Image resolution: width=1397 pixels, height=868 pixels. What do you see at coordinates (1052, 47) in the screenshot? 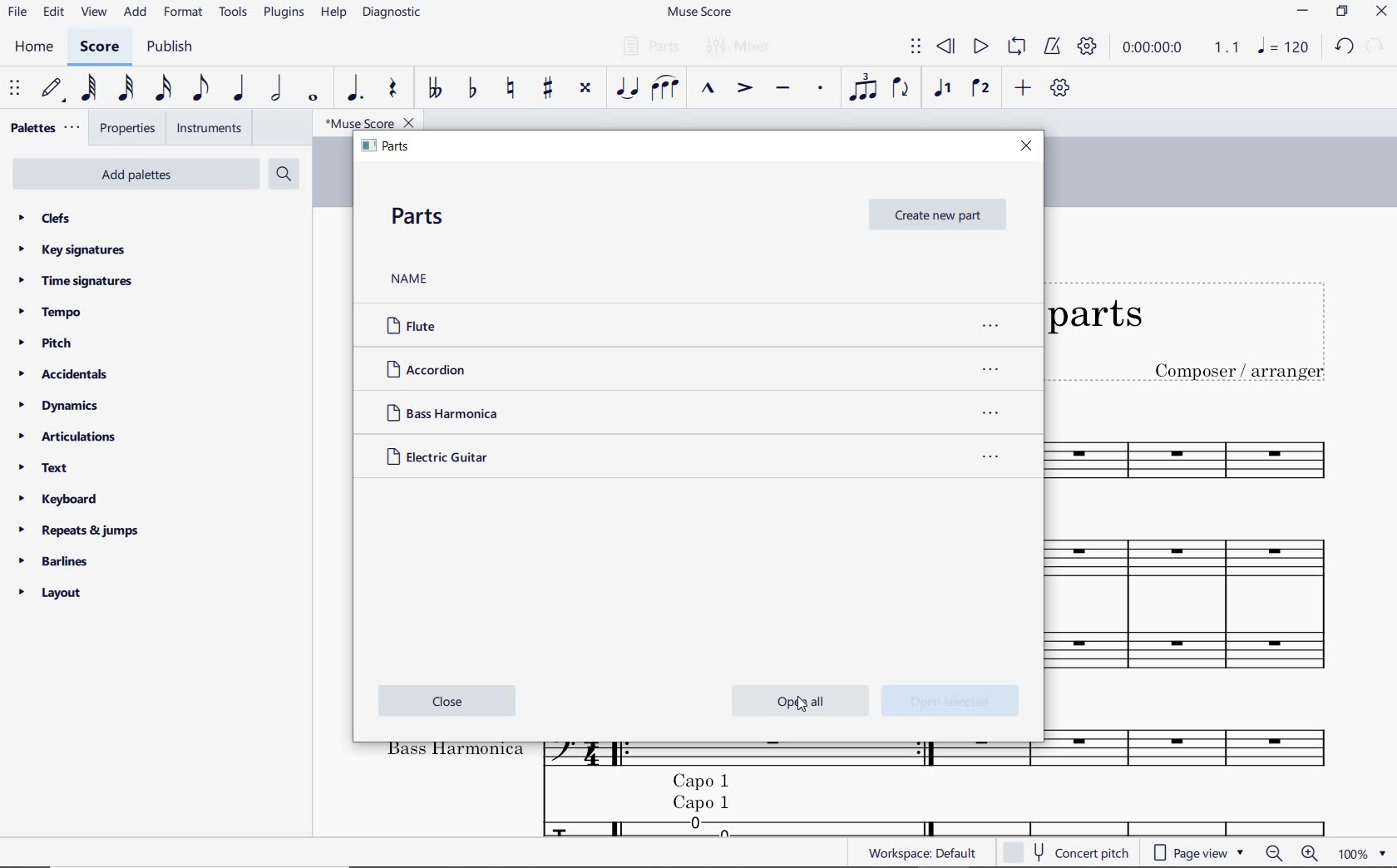
I see `metronome` at bounding box center [1052, 47].